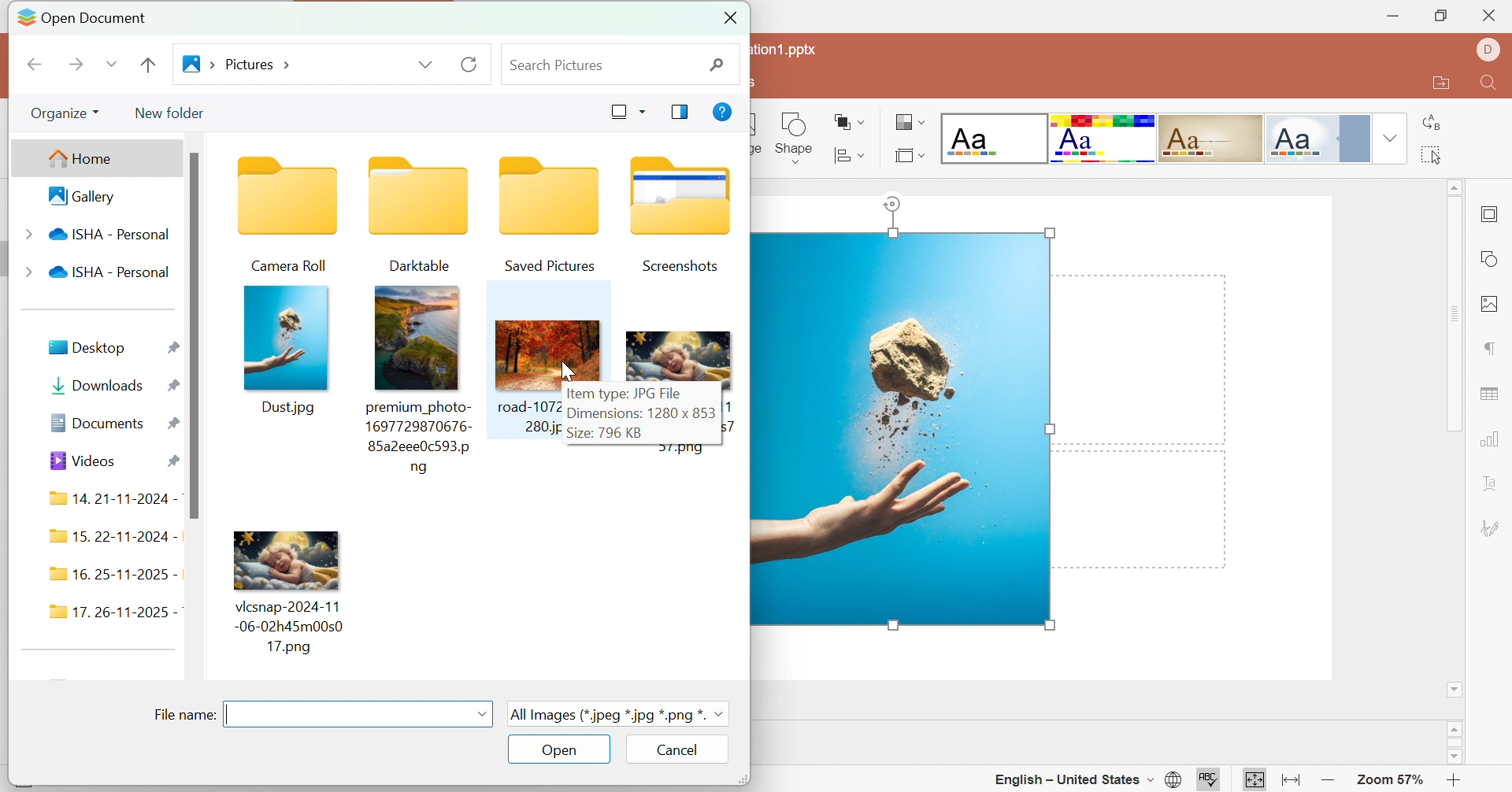  I want to click on Find, so click(1492, 84).